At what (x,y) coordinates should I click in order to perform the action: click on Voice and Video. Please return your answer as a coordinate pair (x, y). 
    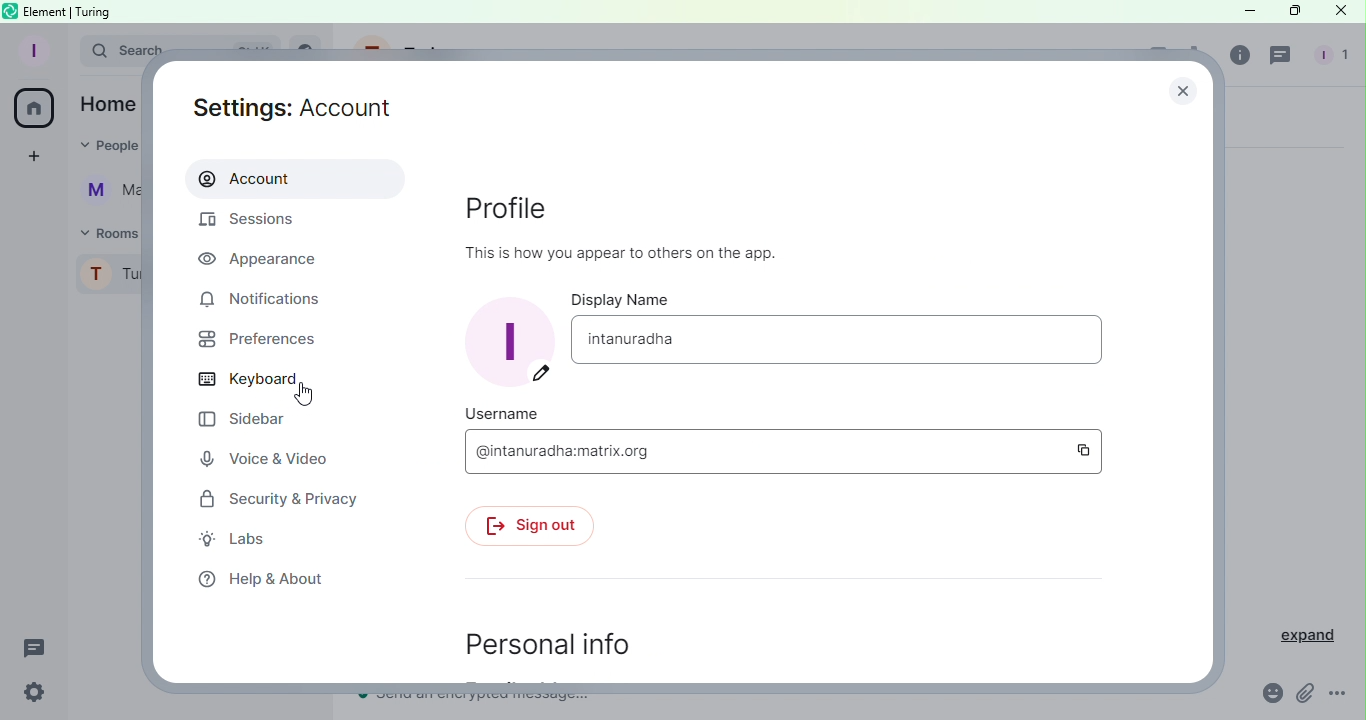
    Looking at the image, I should click on (263, 458).